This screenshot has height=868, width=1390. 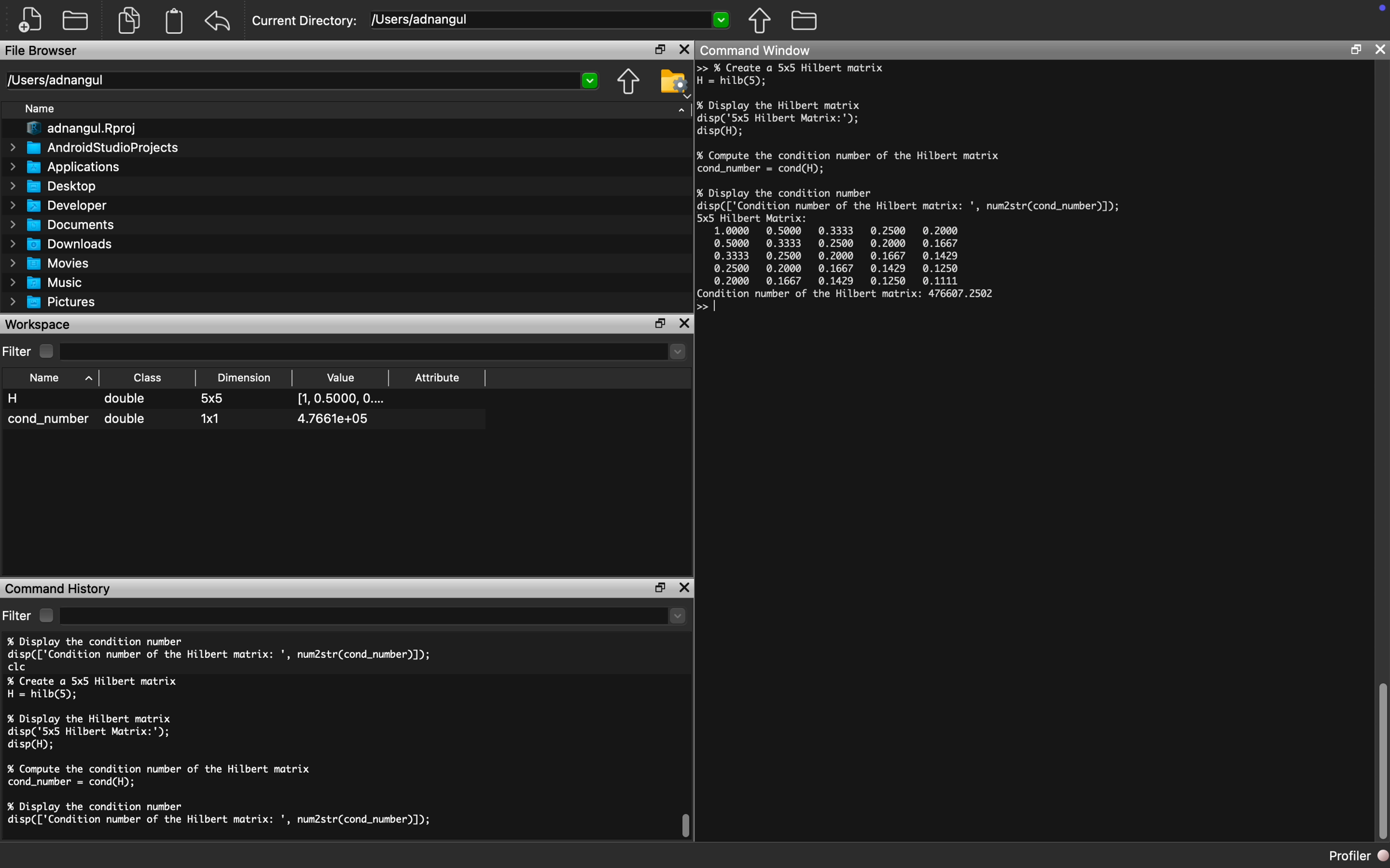 What do you see at coordinates (53, 187) in the screenshot?
I see `Desktop` at bounding box center [53, 187].